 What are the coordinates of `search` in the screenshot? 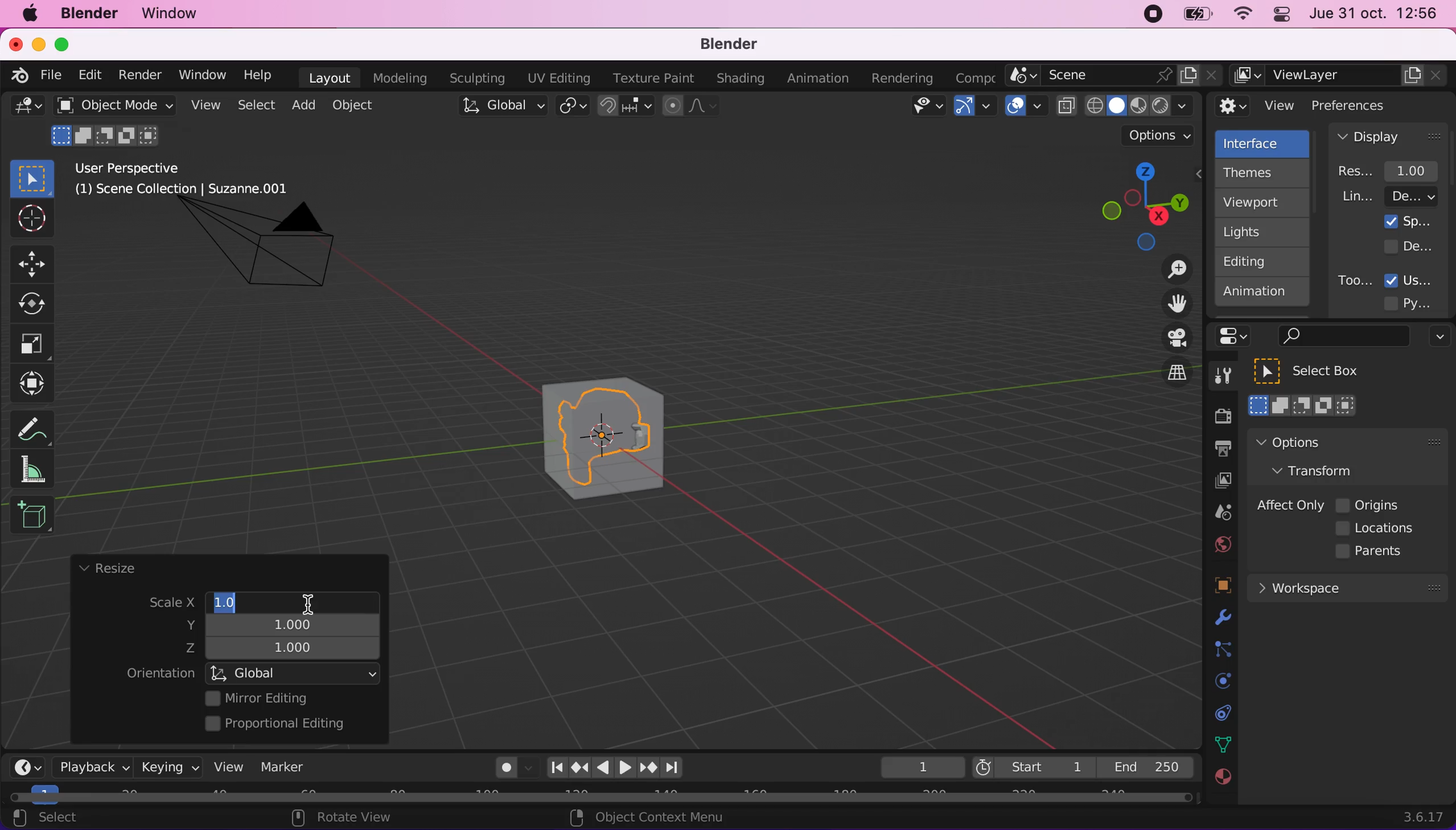 It's located at (1341, 337).